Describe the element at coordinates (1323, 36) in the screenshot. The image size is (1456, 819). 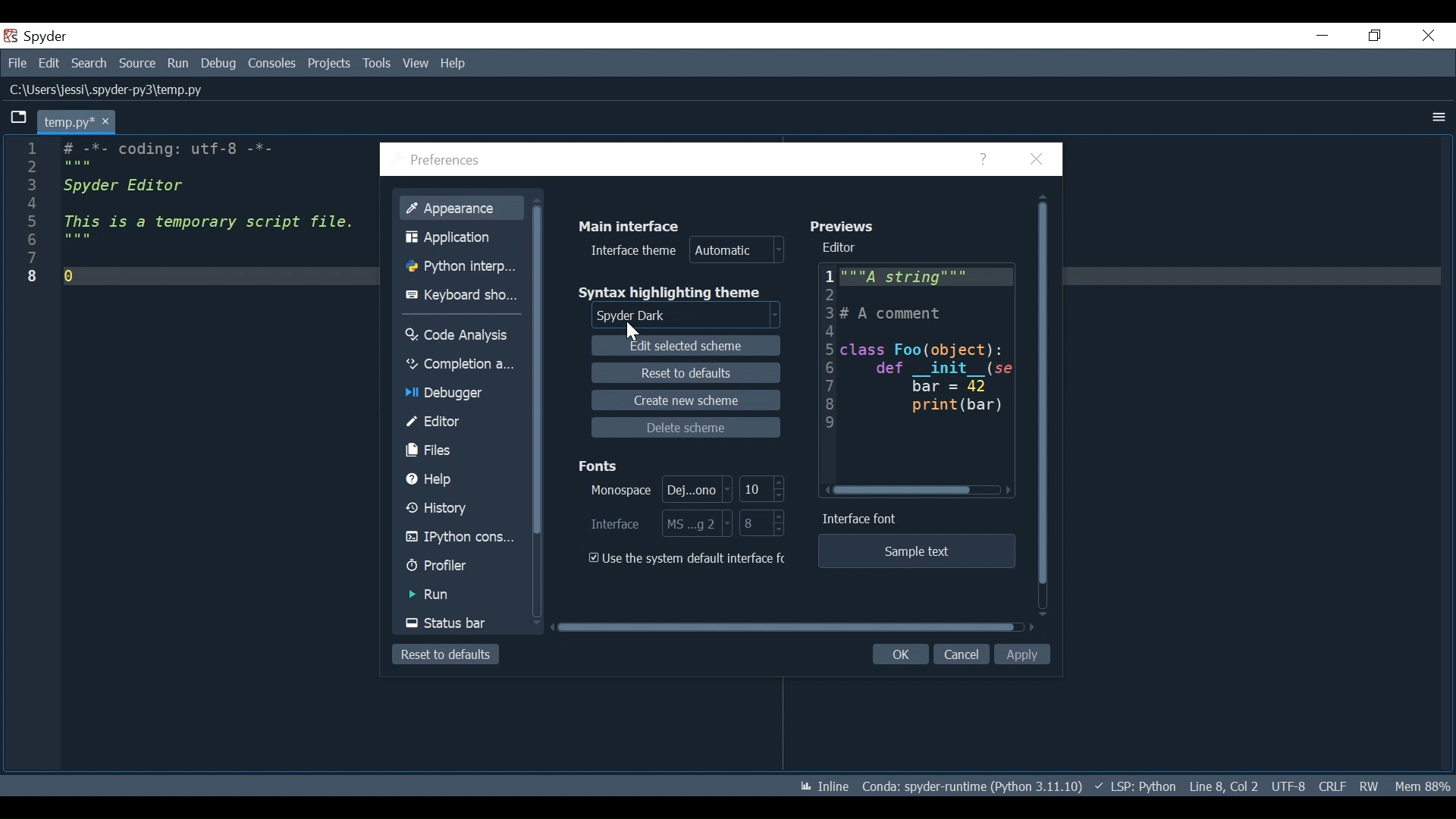
I see `Minimize` at that location.